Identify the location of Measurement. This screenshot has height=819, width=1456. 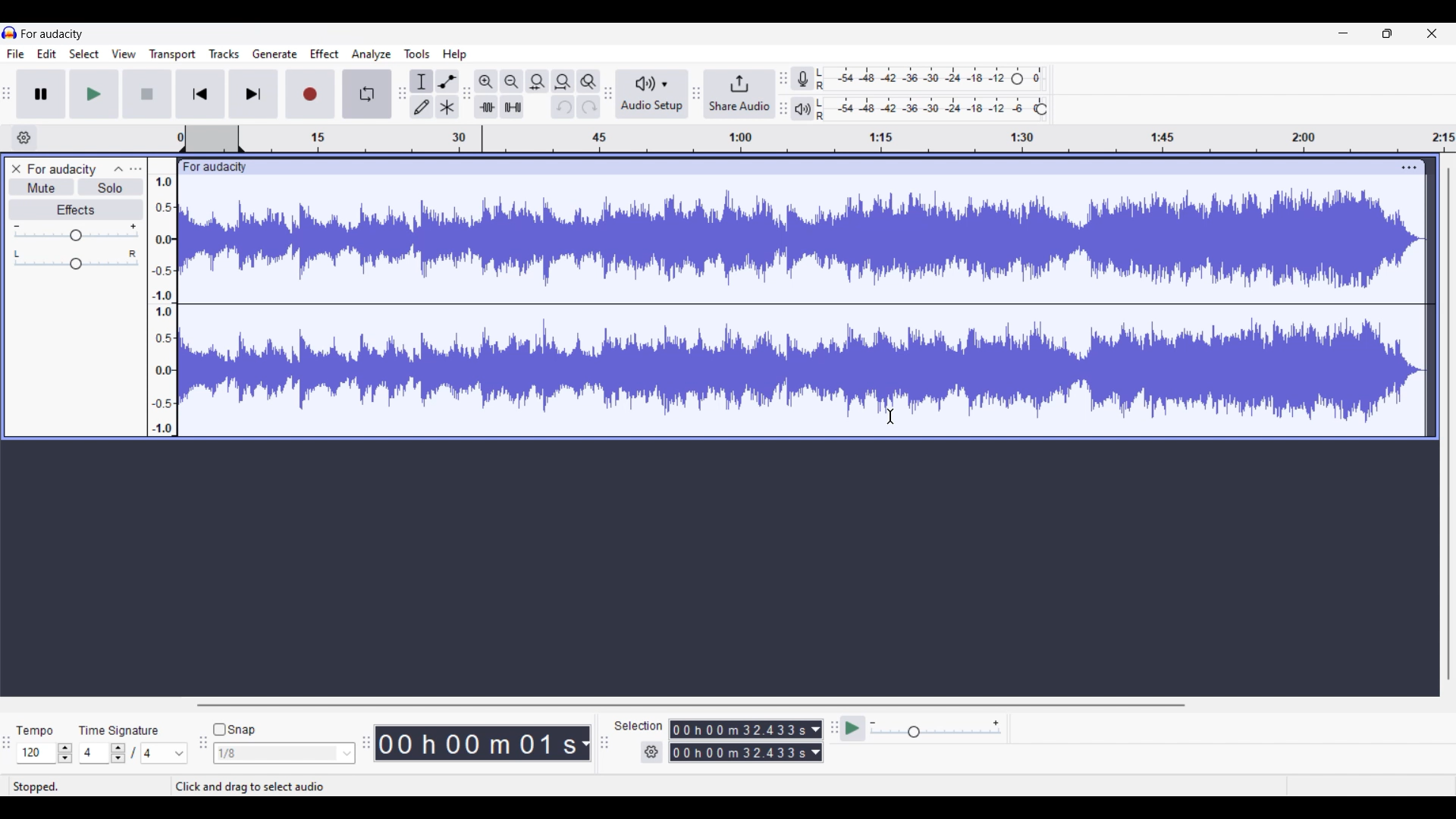
(585, 744).